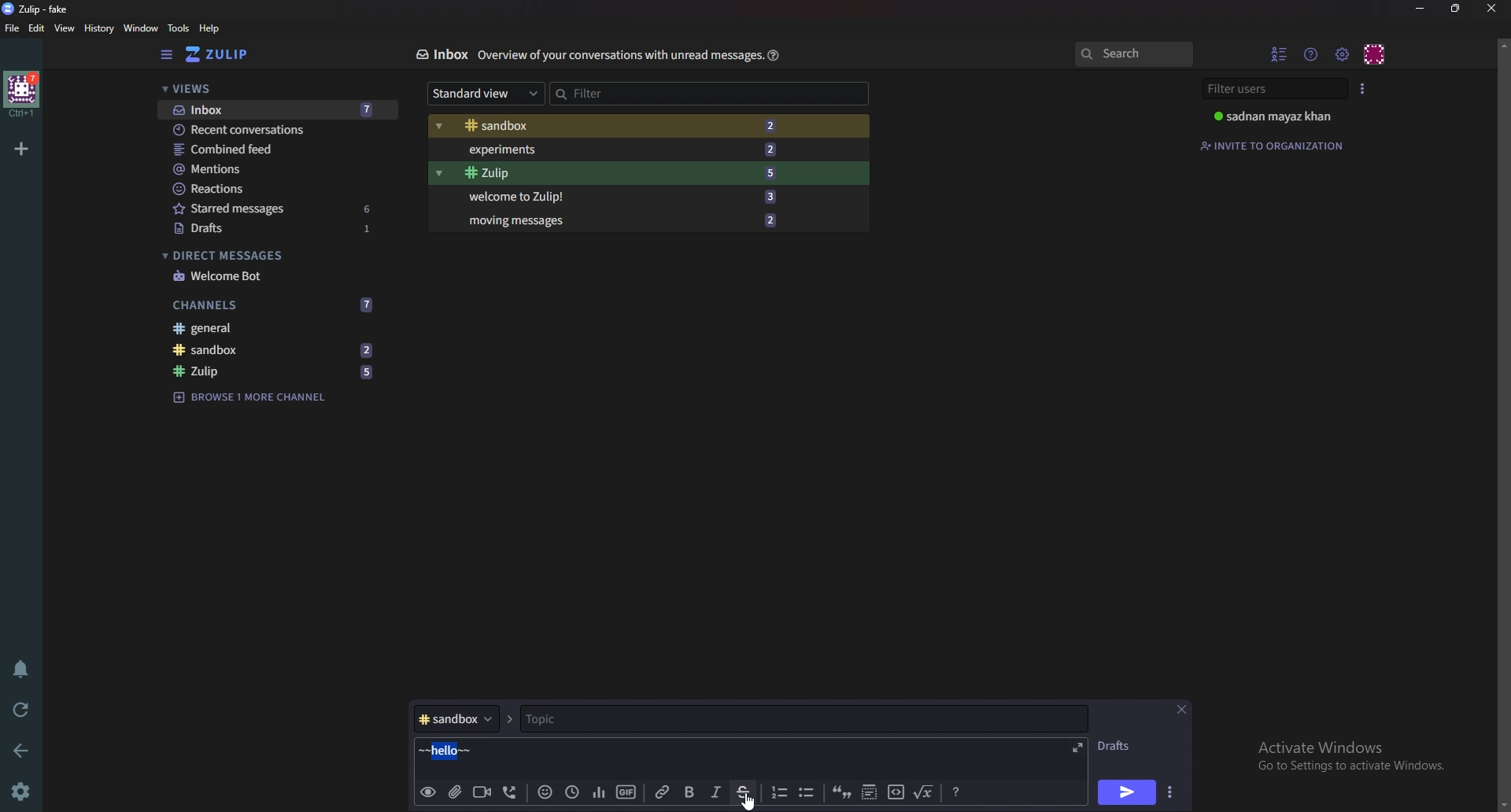 The width and height of the screenshot is (1511, 812). I want to click on Minimize, so click(1420, 8).